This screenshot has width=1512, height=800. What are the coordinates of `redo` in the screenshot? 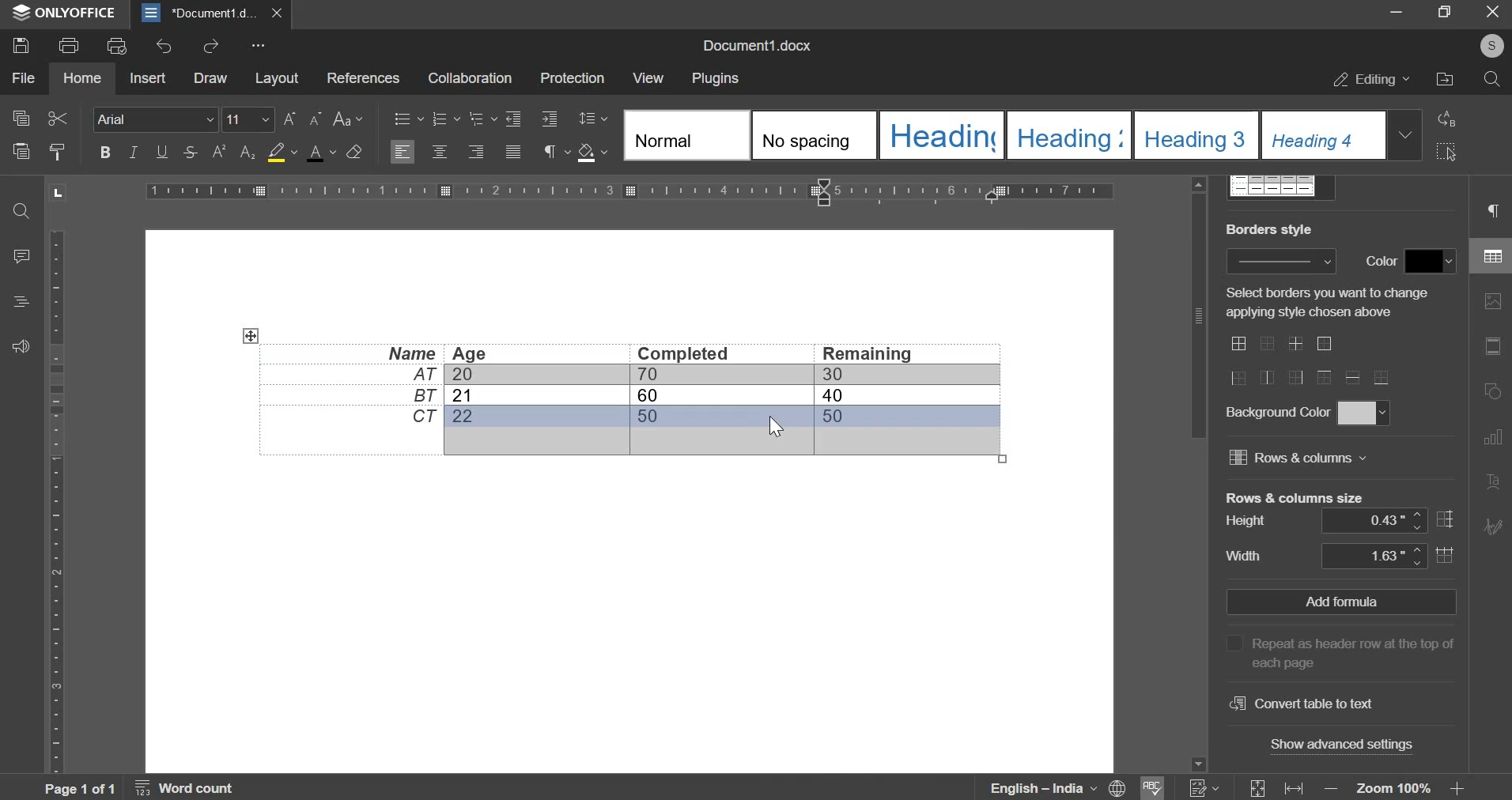 It's located at (211, 48).